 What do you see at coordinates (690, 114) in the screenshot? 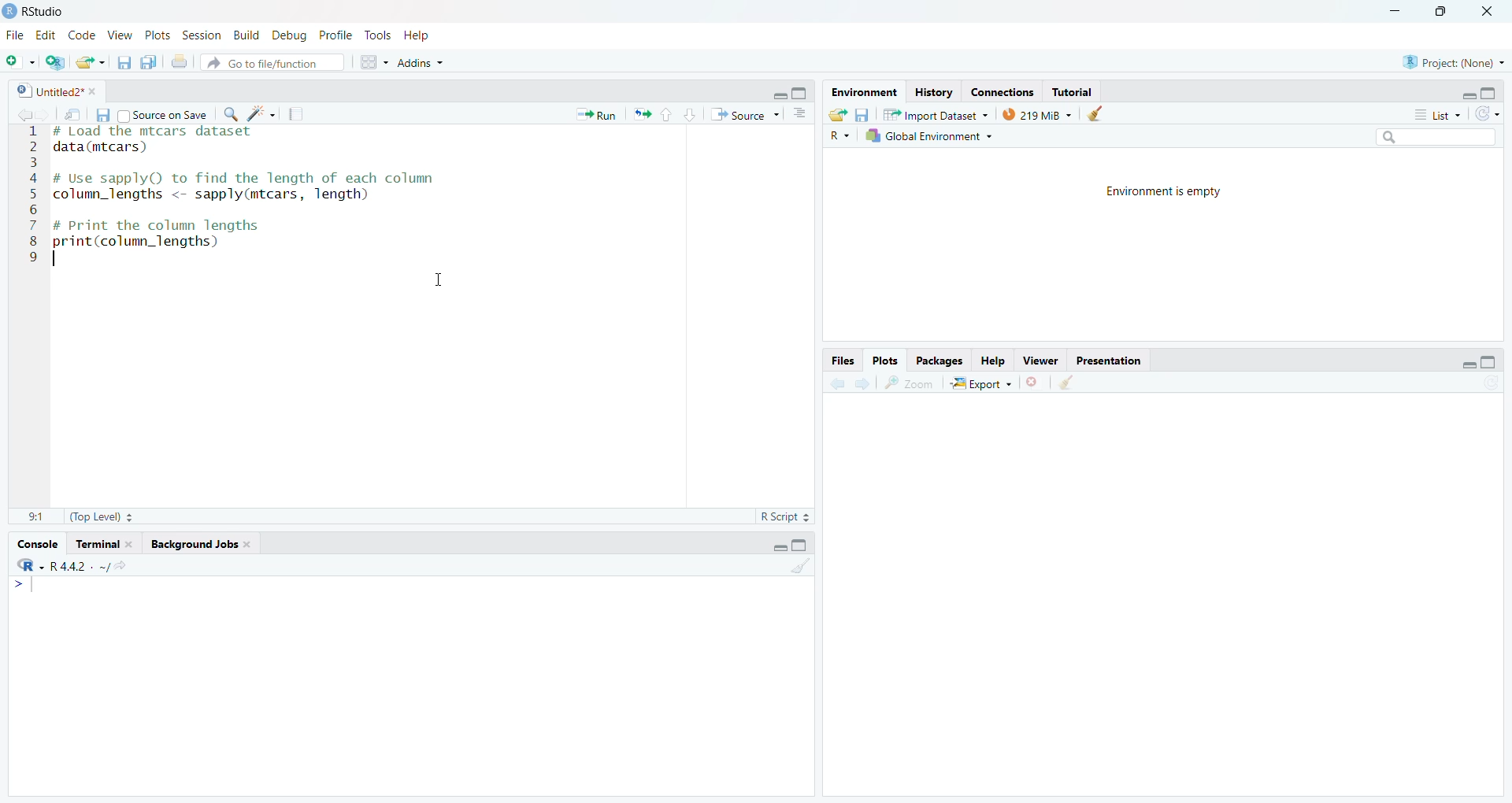
I see `Go to next section` at bounding box center [690, 114].